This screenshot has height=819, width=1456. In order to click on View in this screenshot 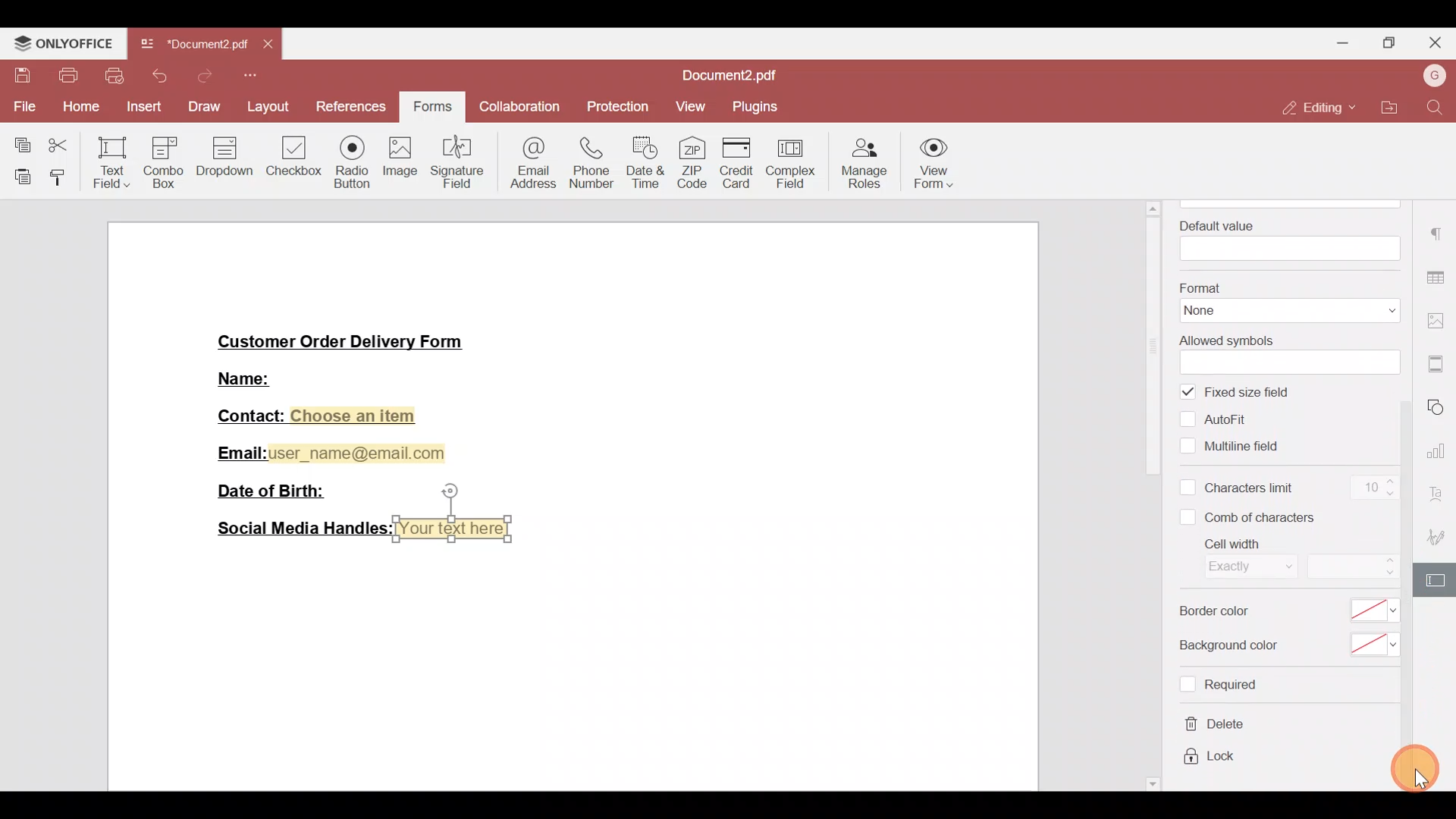, I will do `click(689, 110)`.